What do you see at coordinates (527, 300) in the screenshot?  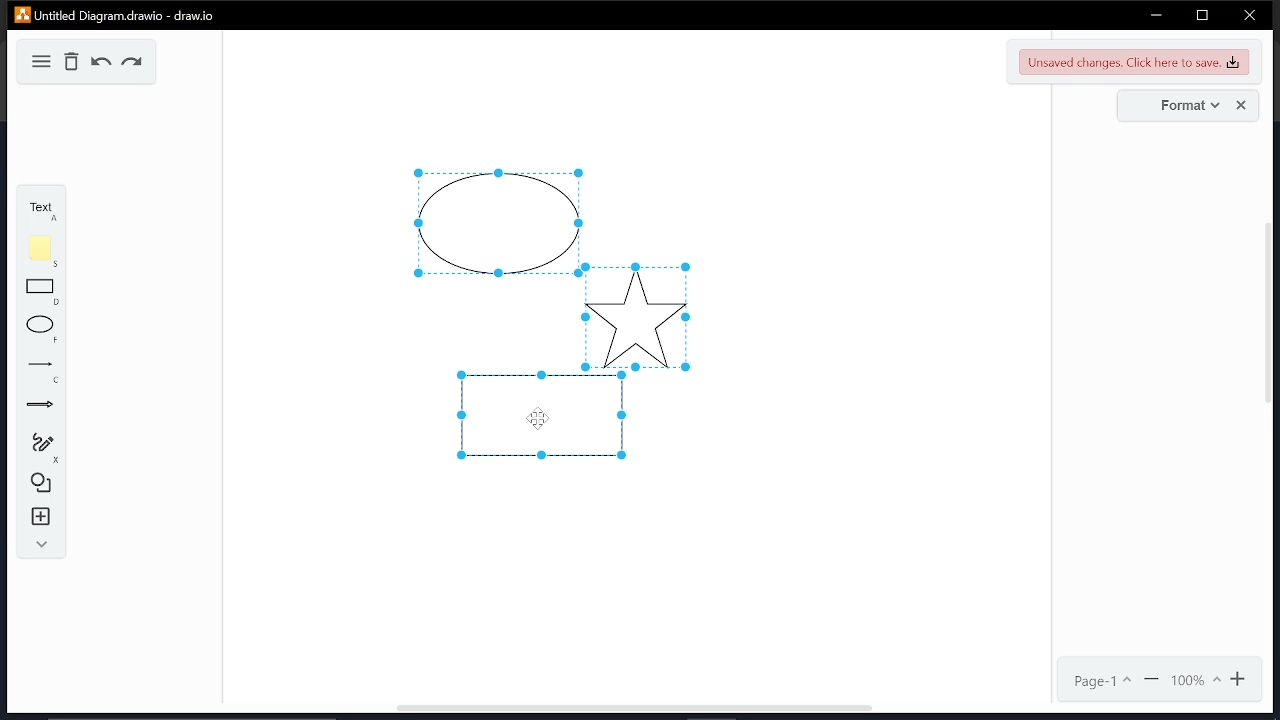 I see `selected diagrams` at bounding box center [527, 300].